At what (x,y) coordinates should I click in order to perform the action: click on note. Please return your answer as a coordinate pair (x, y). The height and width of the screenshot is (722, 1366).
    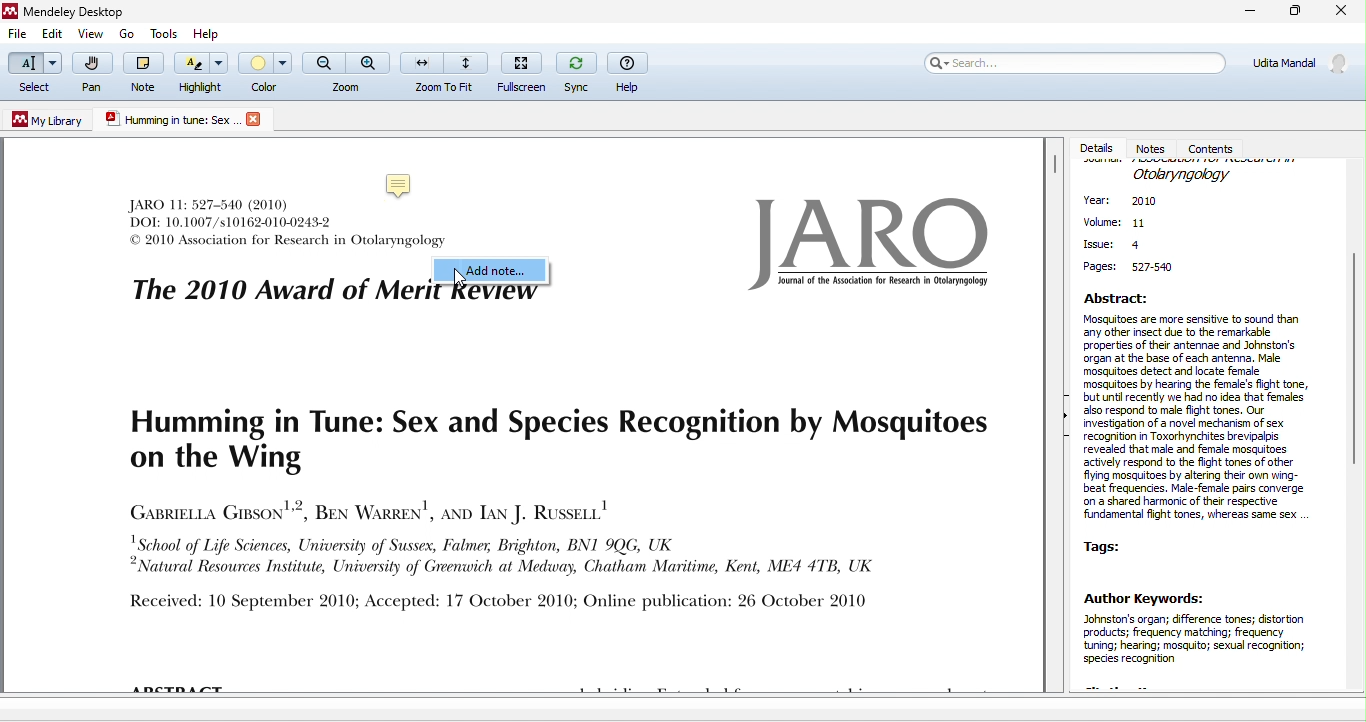
    Looking at the image, I should click on (140, 71).